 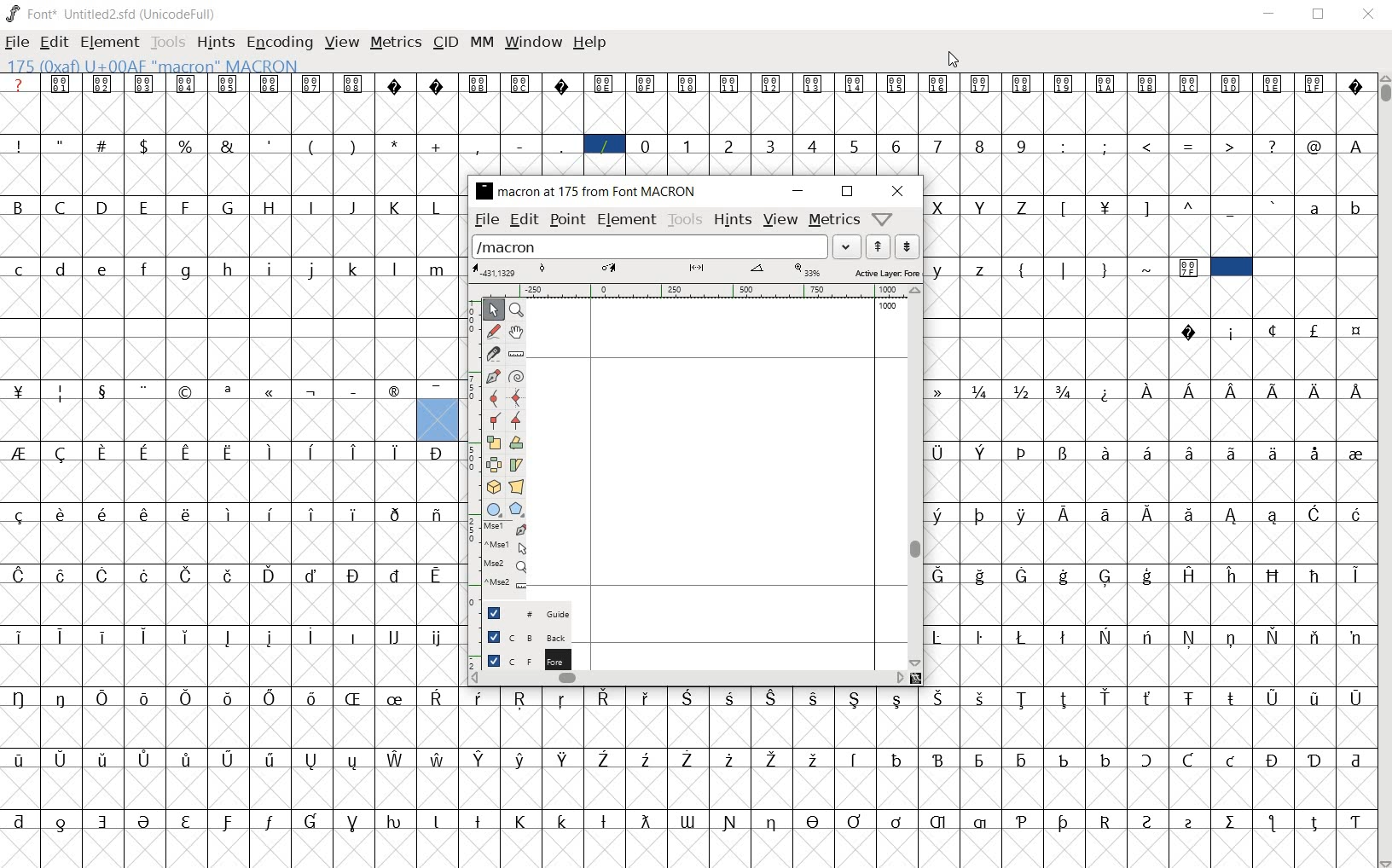 I want to click on Symbol, so click(x=524, y=819).